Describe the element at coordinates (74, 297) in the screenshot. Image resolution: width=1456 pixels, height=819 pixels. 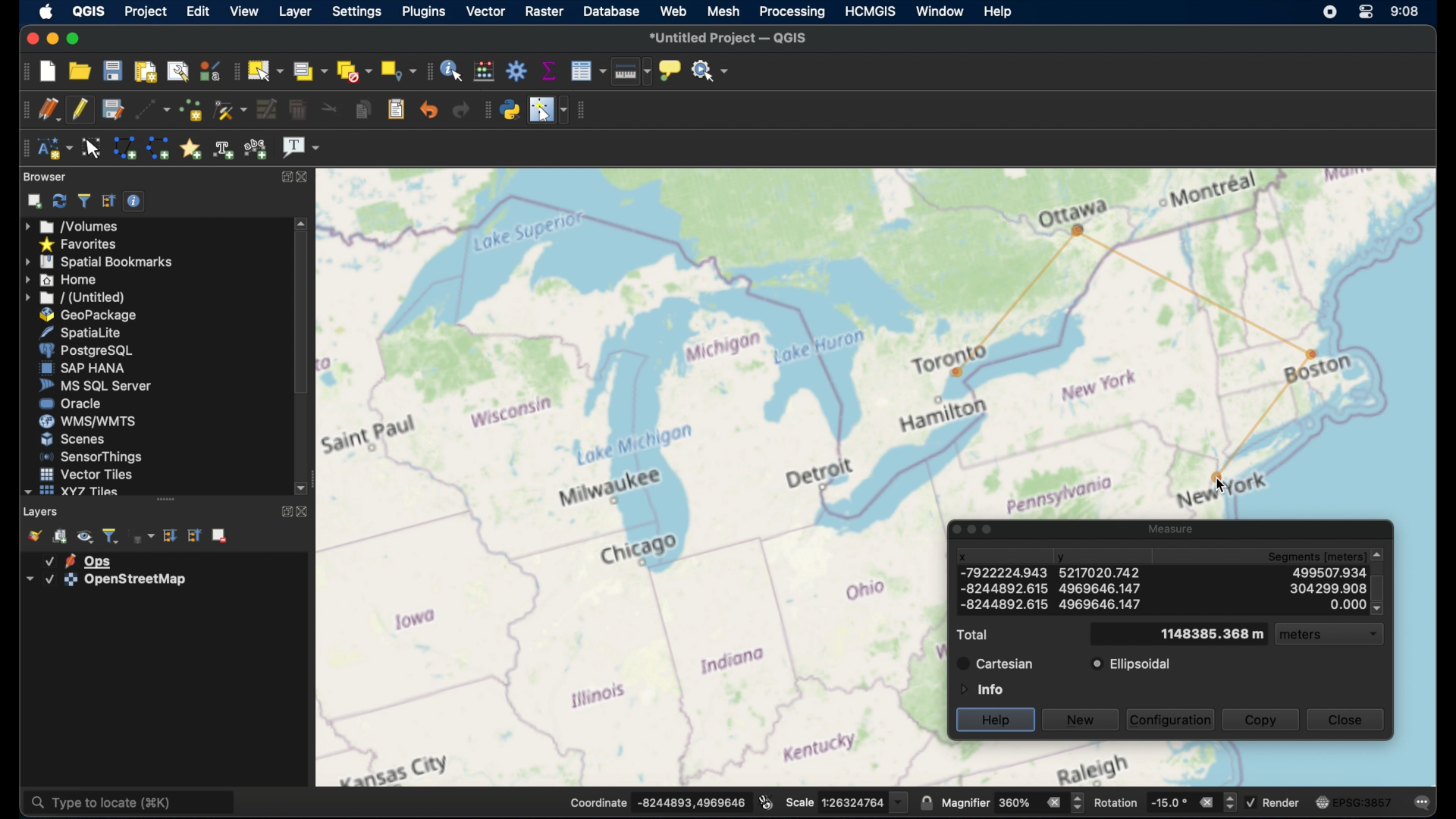
I see `untitled menu` at that location.